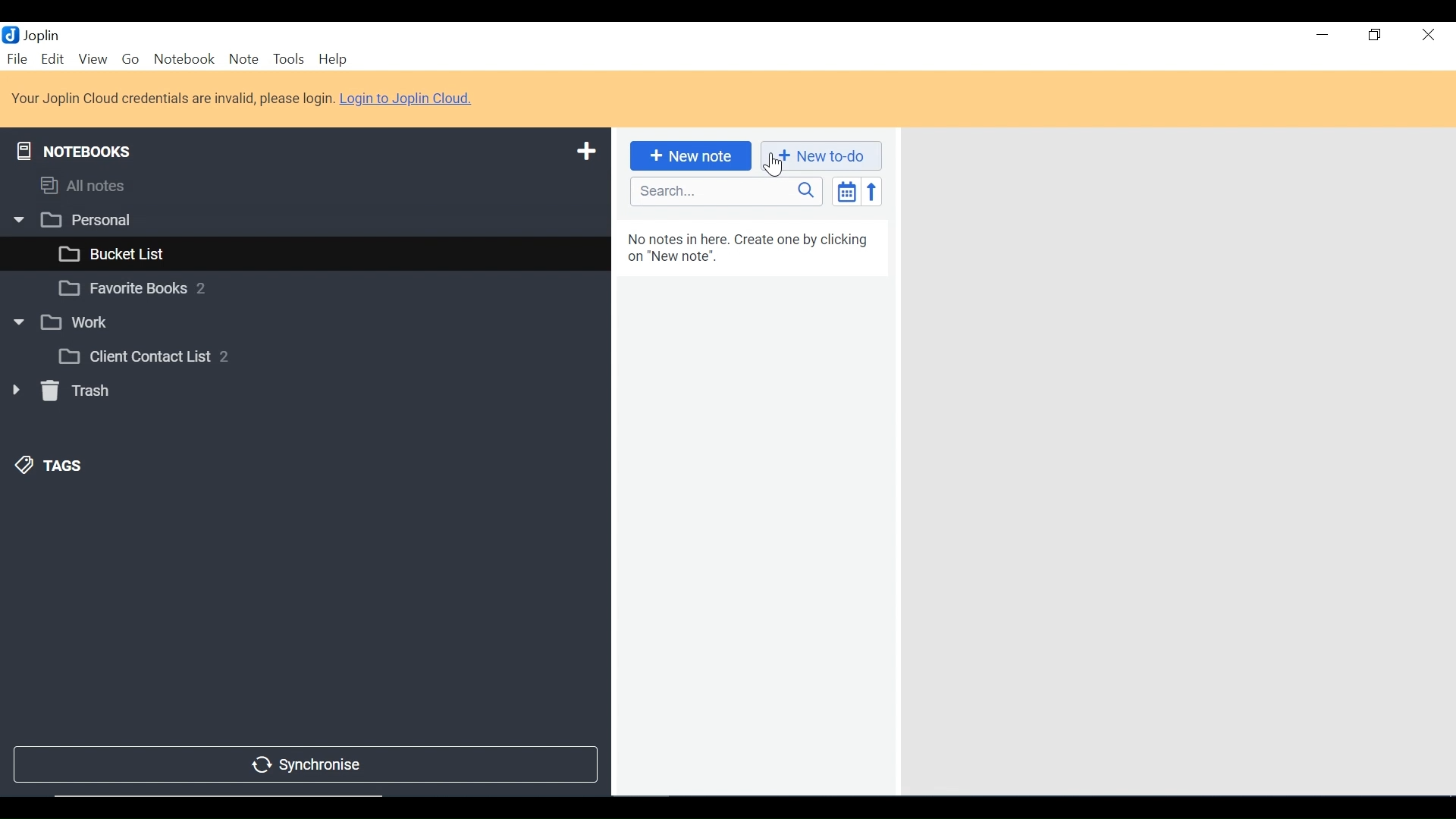 This screenshot has width=1456, height=819. What do you see at coordinates (1375, 37) in the screenshot?
I see `Restore` at bounding box center [1375, 37].